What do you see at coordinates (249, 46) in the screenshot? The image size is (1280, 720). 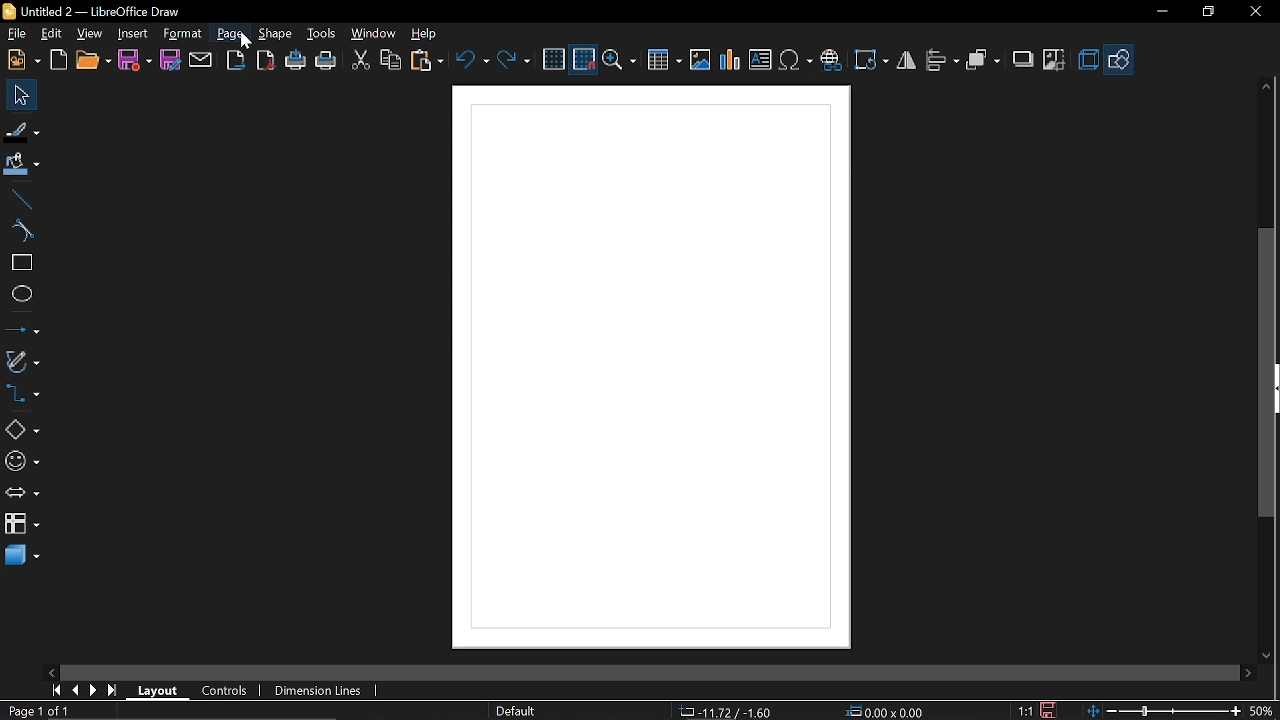 I see `Cursor` at bounding box center [249, 46].